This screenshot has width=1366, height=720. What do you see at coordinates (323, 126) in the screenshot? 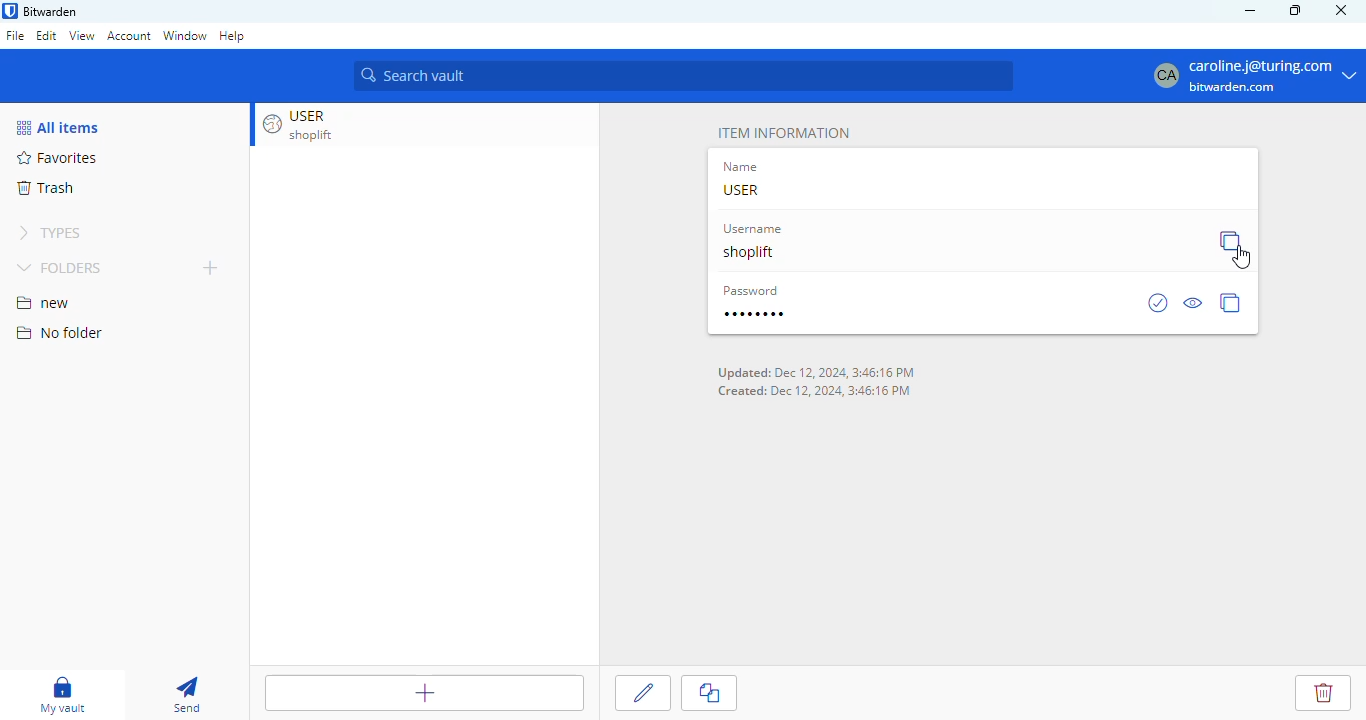
I see `USER   shoplift` at bounding box center [323, 126].